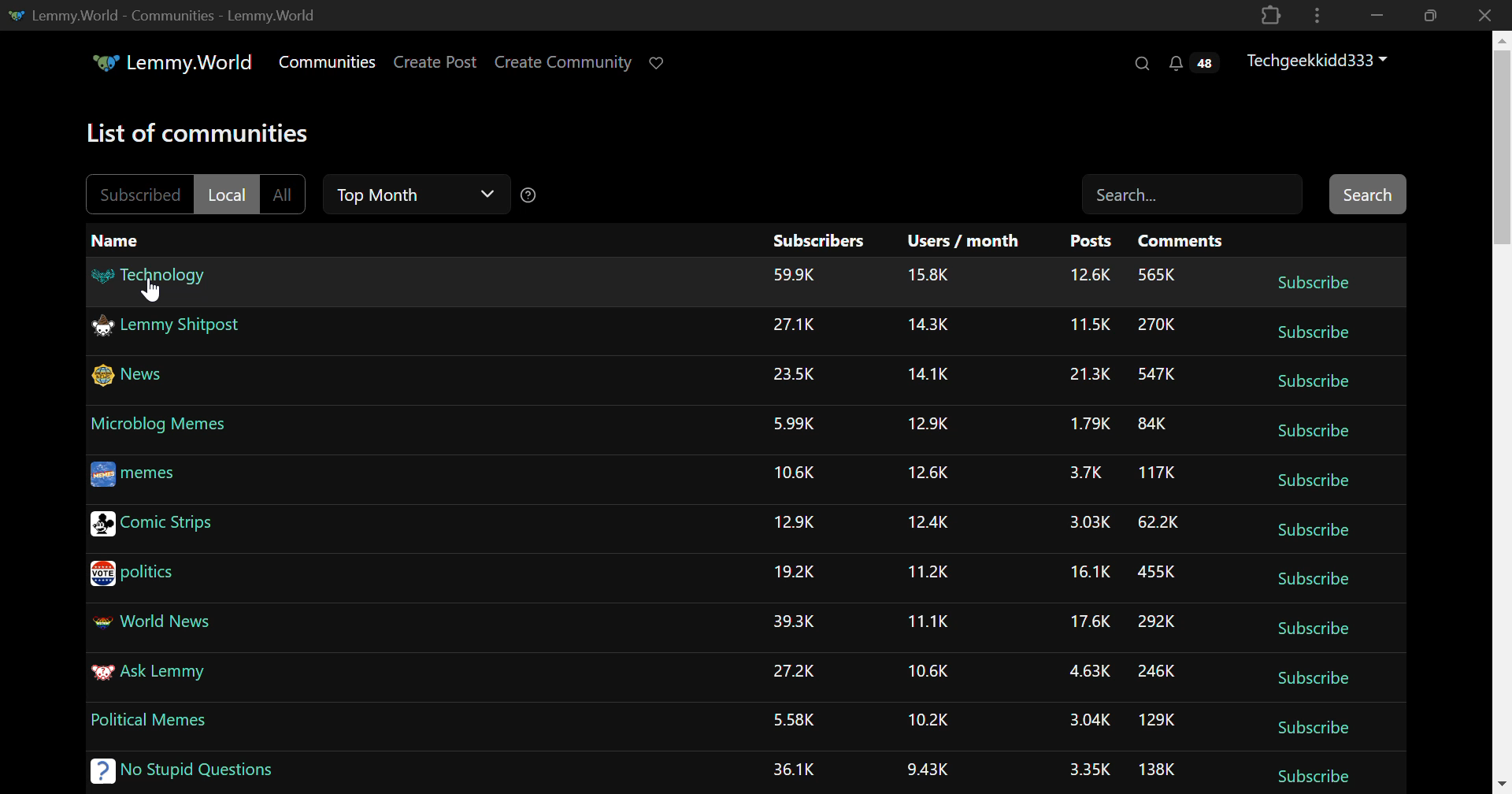 The height and width of the screenshot is (794, 1512). What do you see at coordinates (794, 769) in the screenshot?
I see `36.1K` at bounding box center [794, 769].